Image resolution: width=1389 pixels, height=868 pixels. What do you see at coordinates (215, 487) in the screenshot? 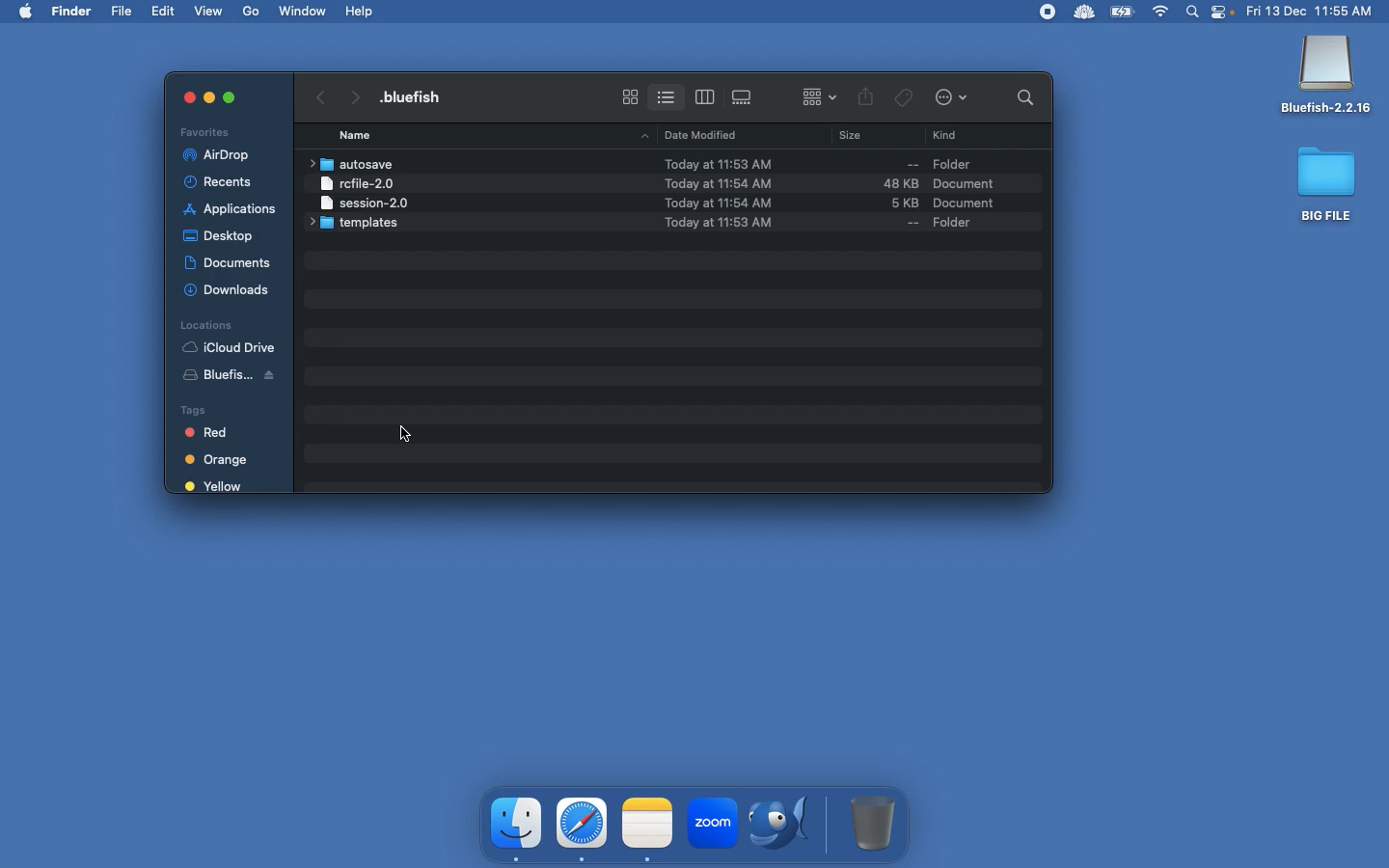
I see `yellow` at bounding box center [215, 487].